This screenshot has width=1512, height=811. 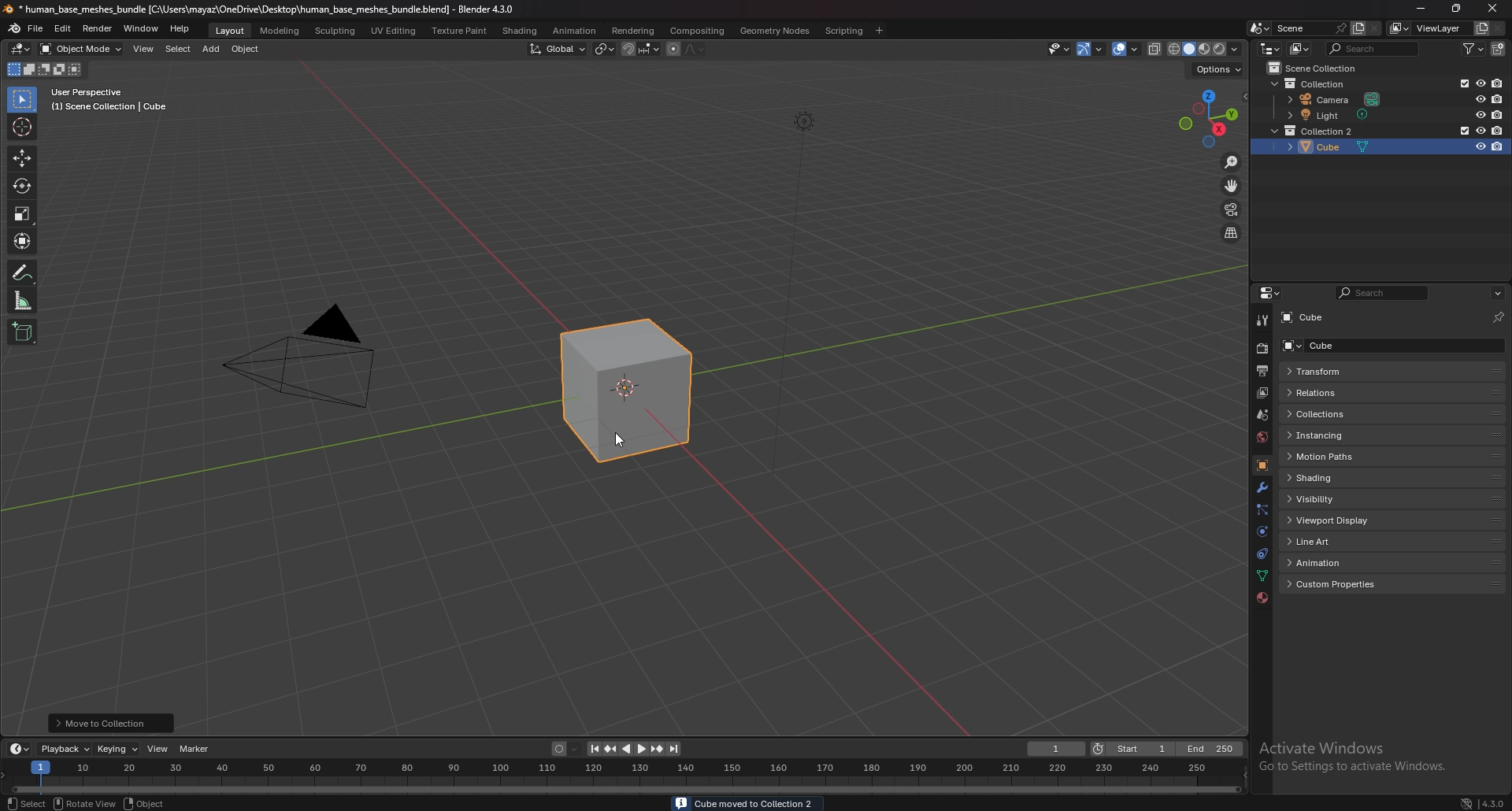 What do you see at coordinates (83, 802) in the screenshot?
I see `rotate view` at bounding box center [83, 802].